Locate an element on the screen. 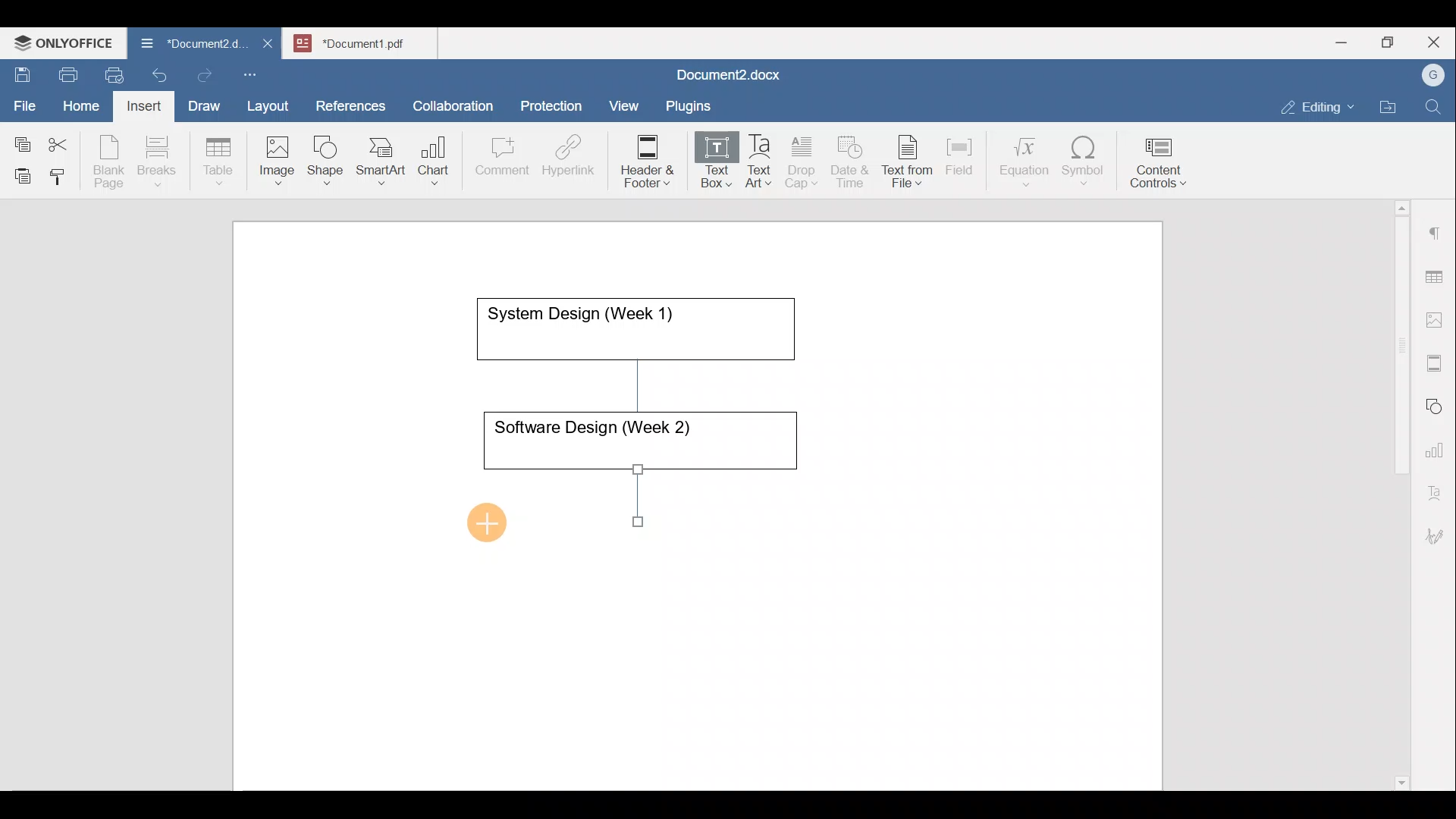  Collaboration is located at coordinates (450, 98).